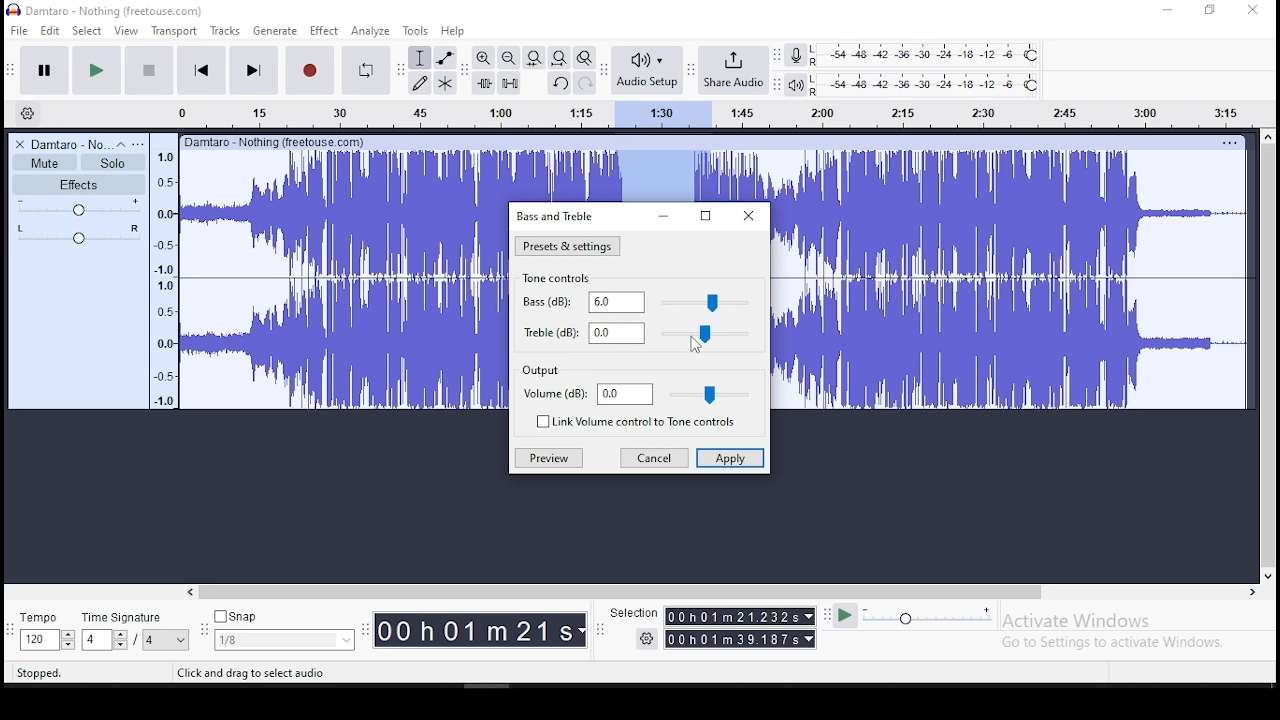 The width and height of the screenshot is (1280, 720). What do you see at coordinates (555, 395) in the screenshot?
I see `volume(dB)` at bounding box center [555, 395].